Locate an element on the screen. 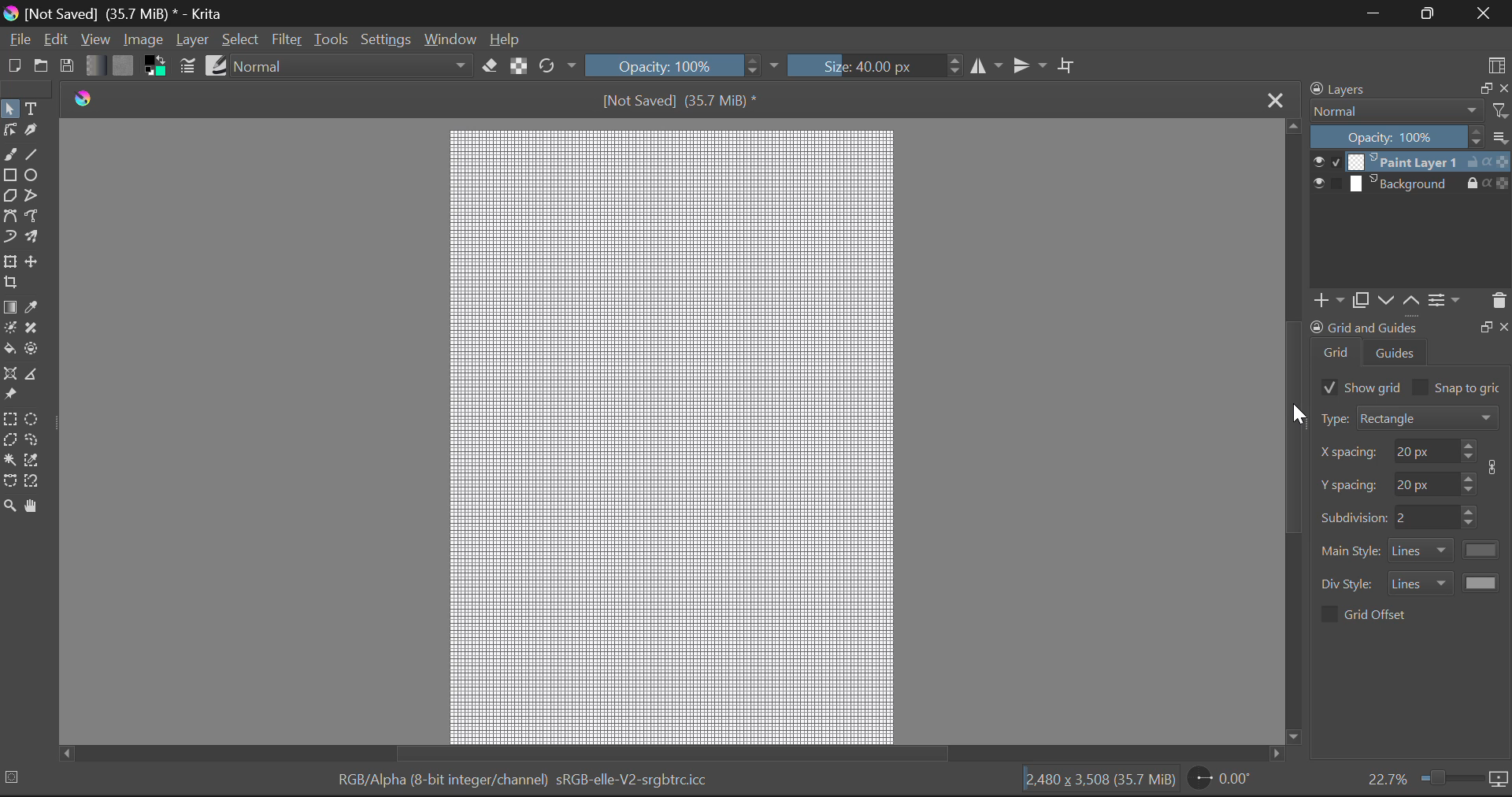 This screenshot has height=797, width=1512. Increase or decrease is located at coordinates (1471, 517).